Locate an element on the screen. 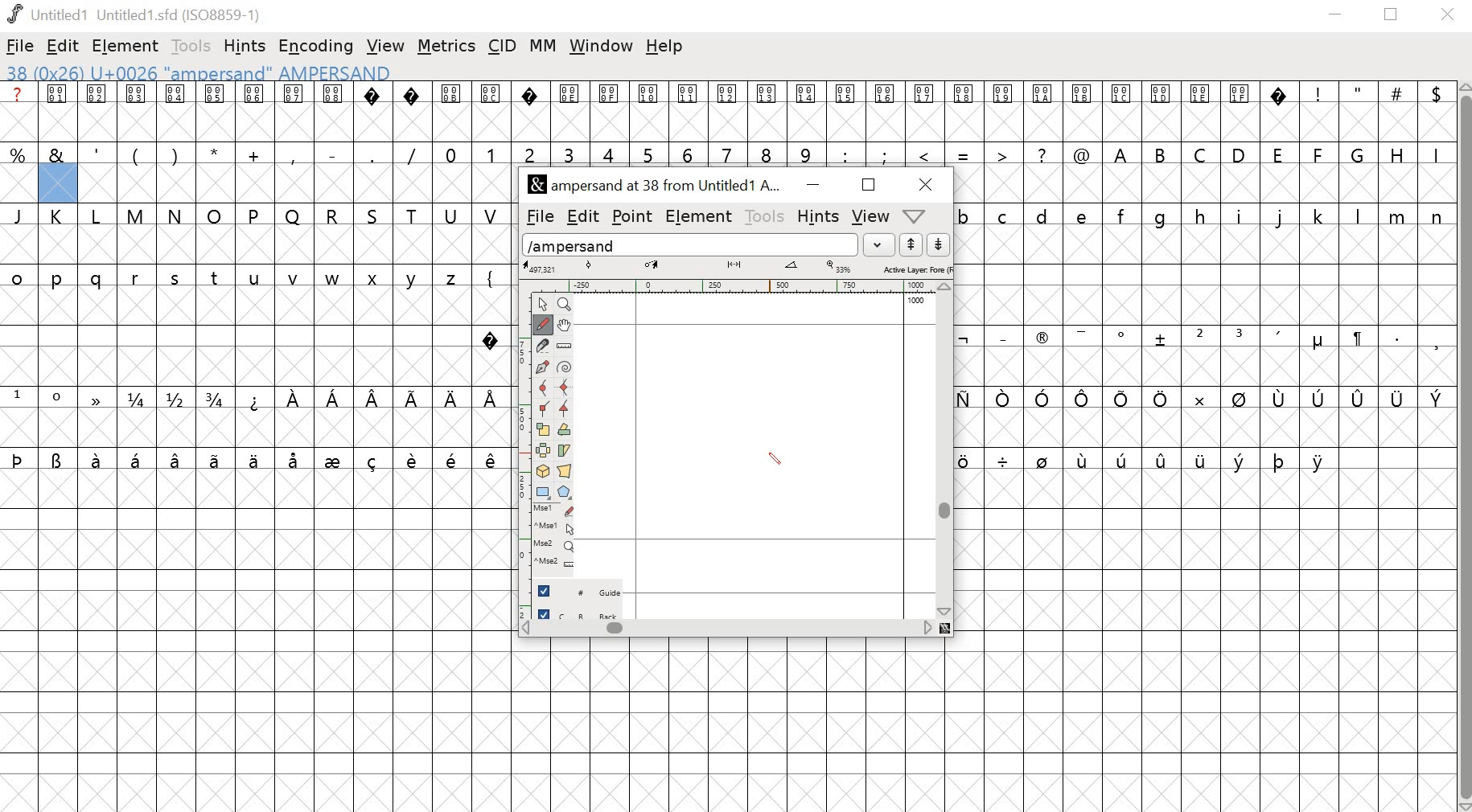 This screenshot has width=1472, height=812. pen position(cursor) is located at coordinates (773, 459).